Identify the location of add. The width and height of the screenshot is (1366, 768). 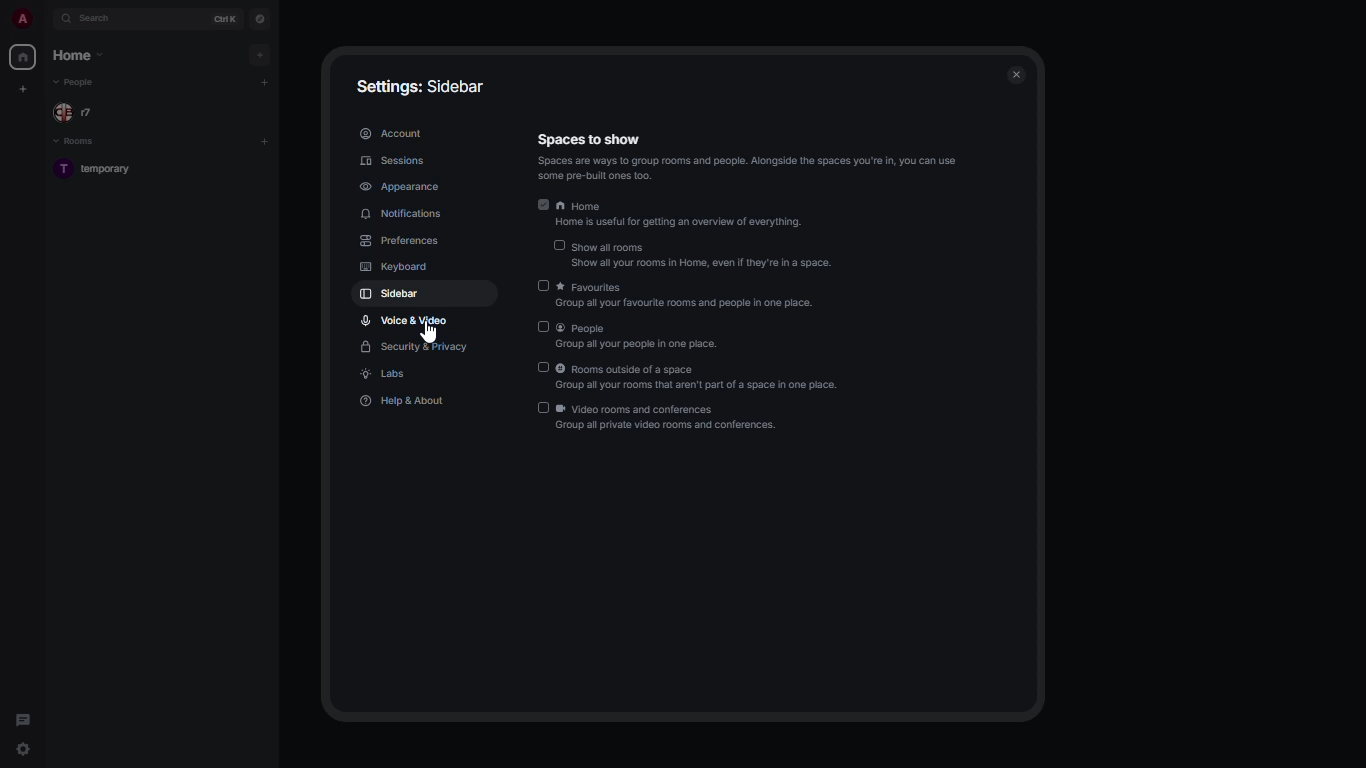
(261, 53).